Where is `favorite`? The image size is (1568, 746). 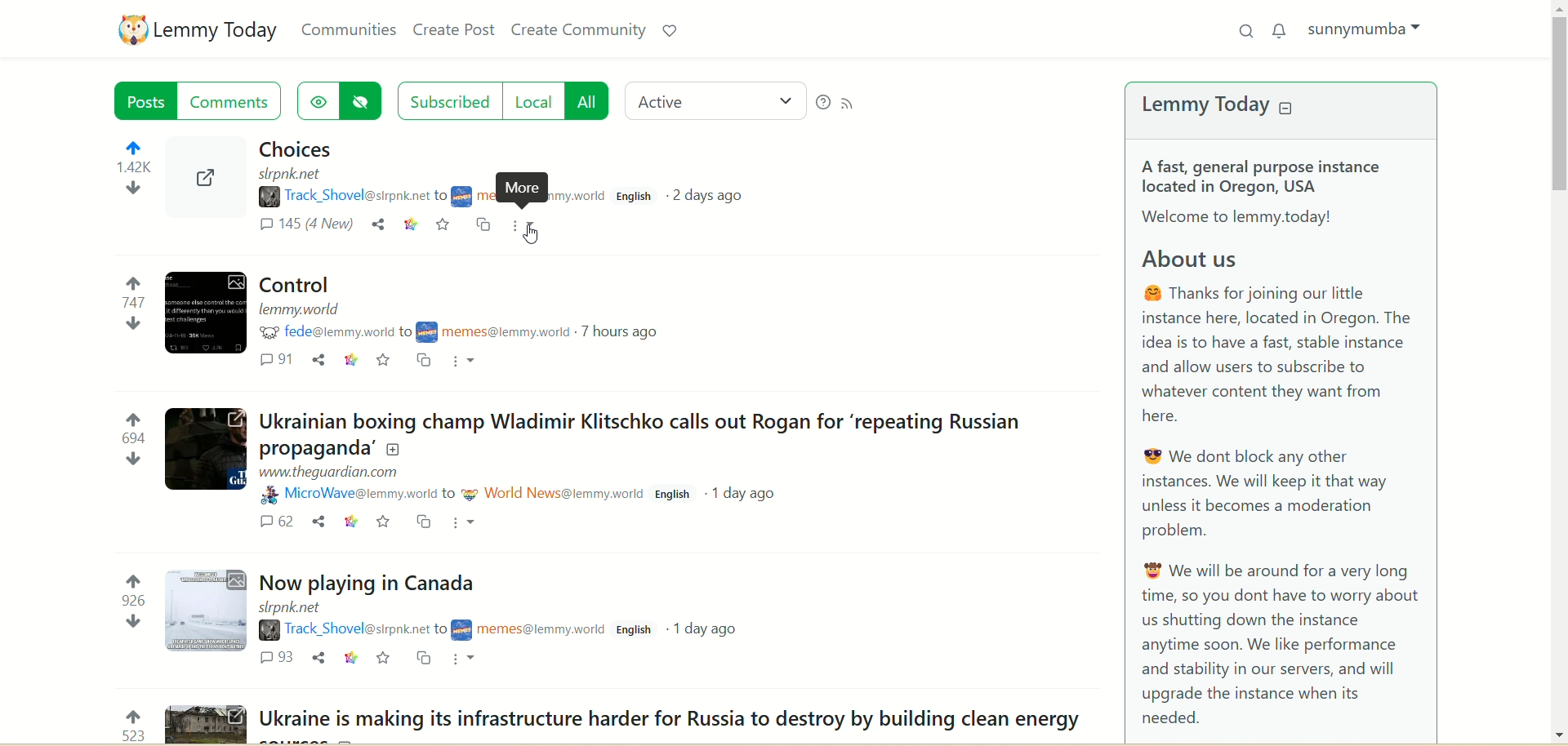
favorite is located at coordinates (387, 659).